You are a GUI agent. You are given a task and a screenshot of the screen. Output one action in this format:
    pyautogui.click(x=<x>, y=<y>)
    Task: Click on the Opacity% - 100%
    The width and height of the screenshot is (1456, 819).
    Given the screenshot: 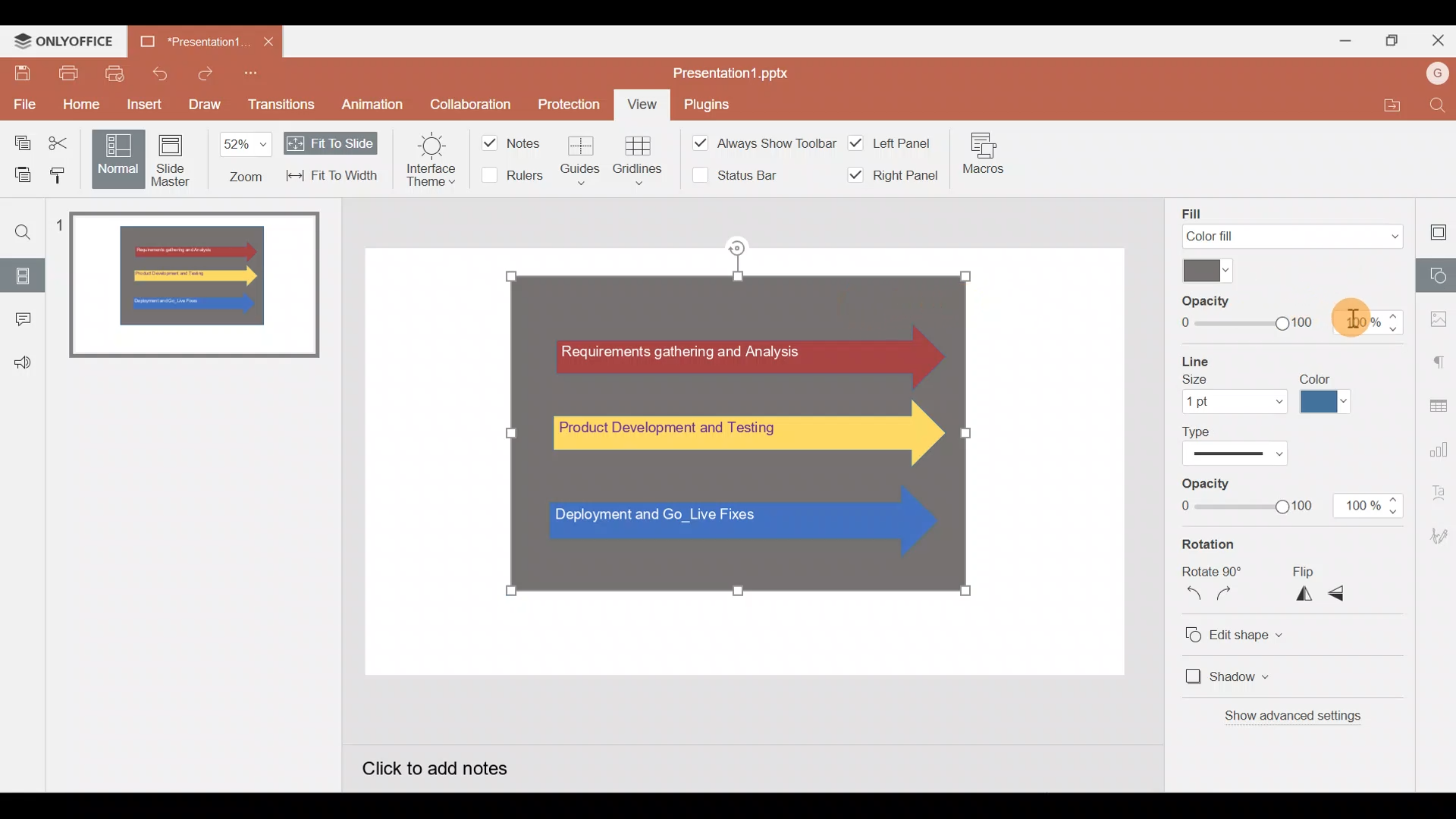 What is the action you would take?
    pyautogui.click(x=1370, y=507)
    